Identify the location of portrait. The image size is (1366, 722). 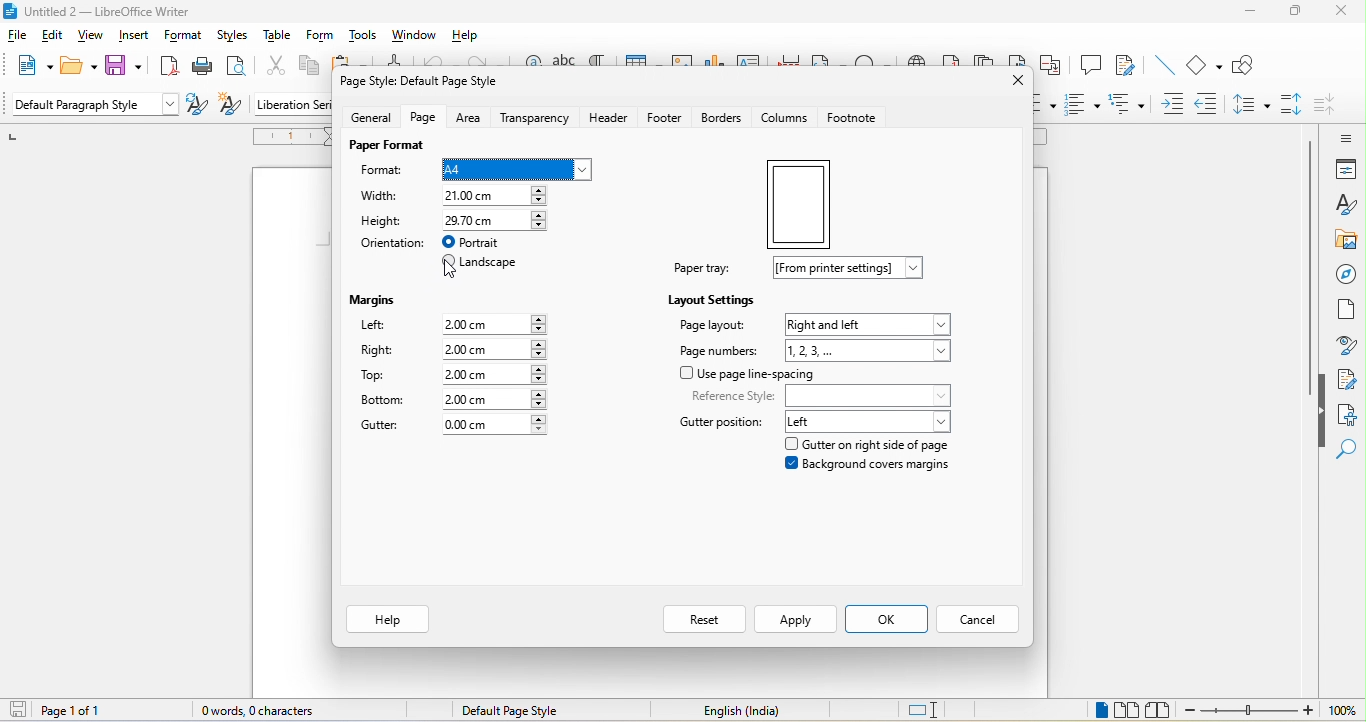
(481, 242).